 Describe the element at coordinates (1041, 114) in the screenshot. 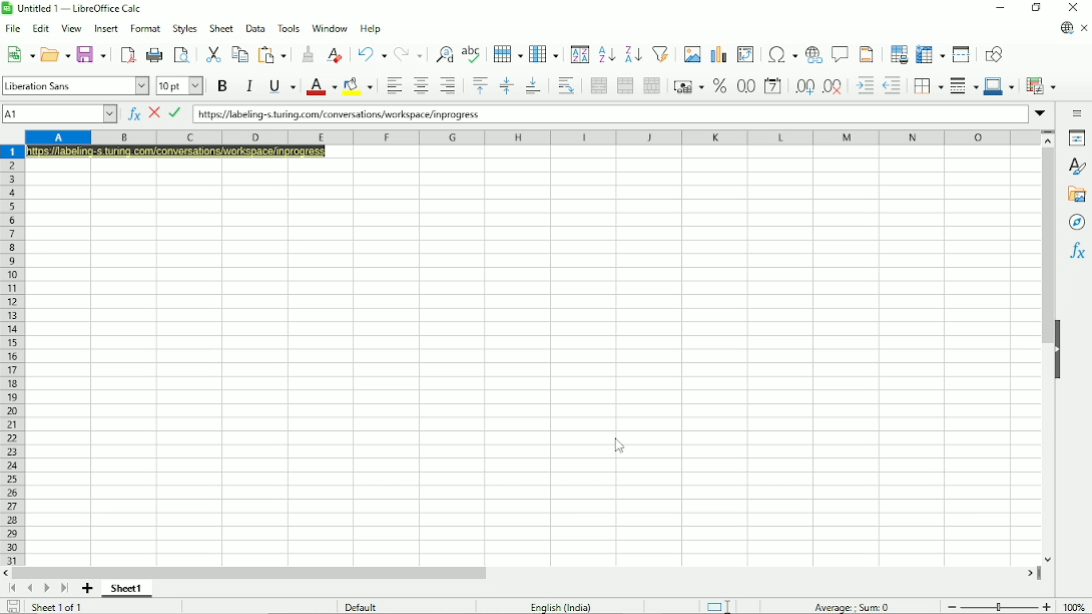

I see `Expand formula bar` at that location.